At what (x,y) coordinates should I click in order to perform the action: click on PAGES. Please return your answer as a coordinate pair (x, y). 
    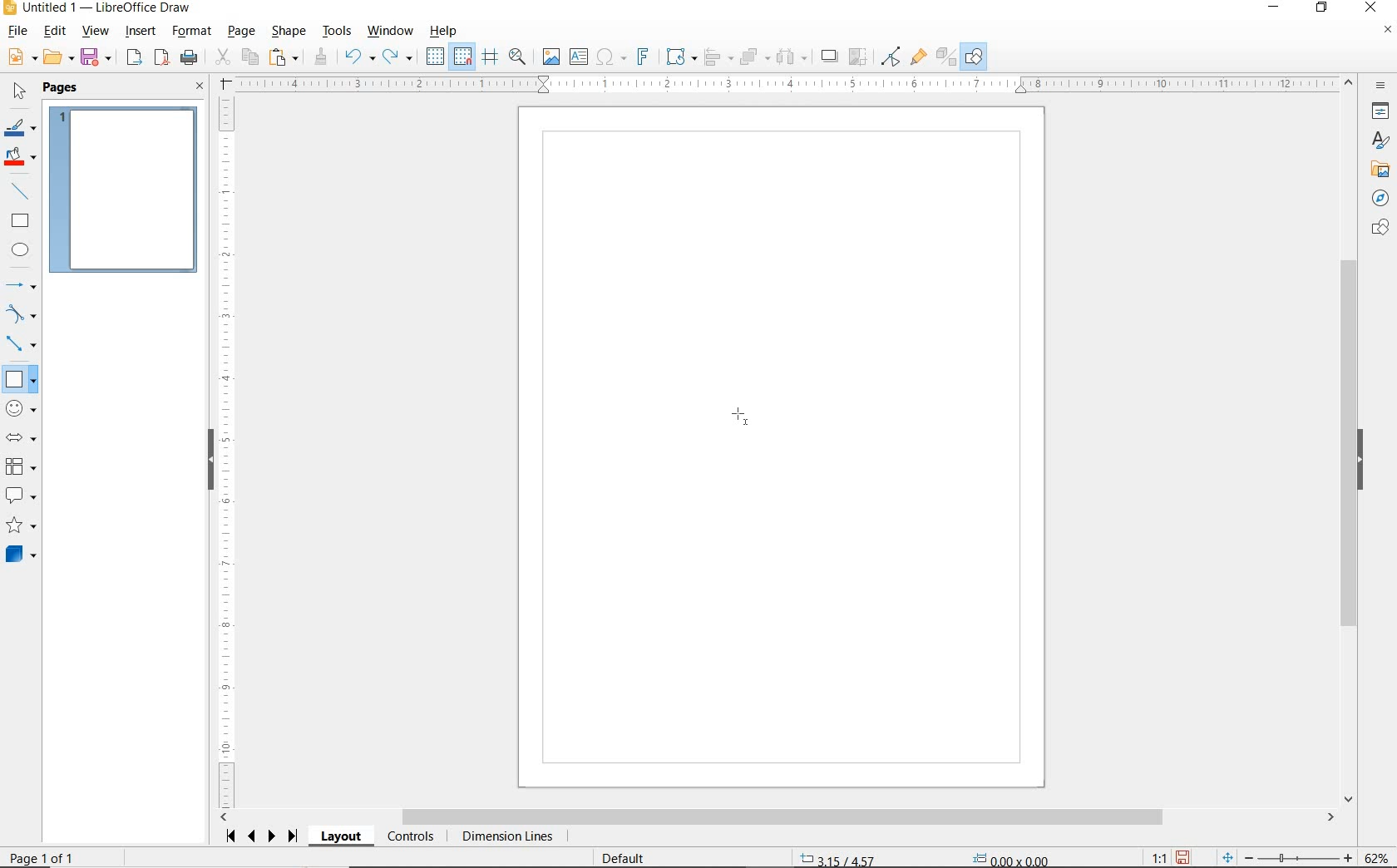
    Looking at the image, I should click on (62, 89).